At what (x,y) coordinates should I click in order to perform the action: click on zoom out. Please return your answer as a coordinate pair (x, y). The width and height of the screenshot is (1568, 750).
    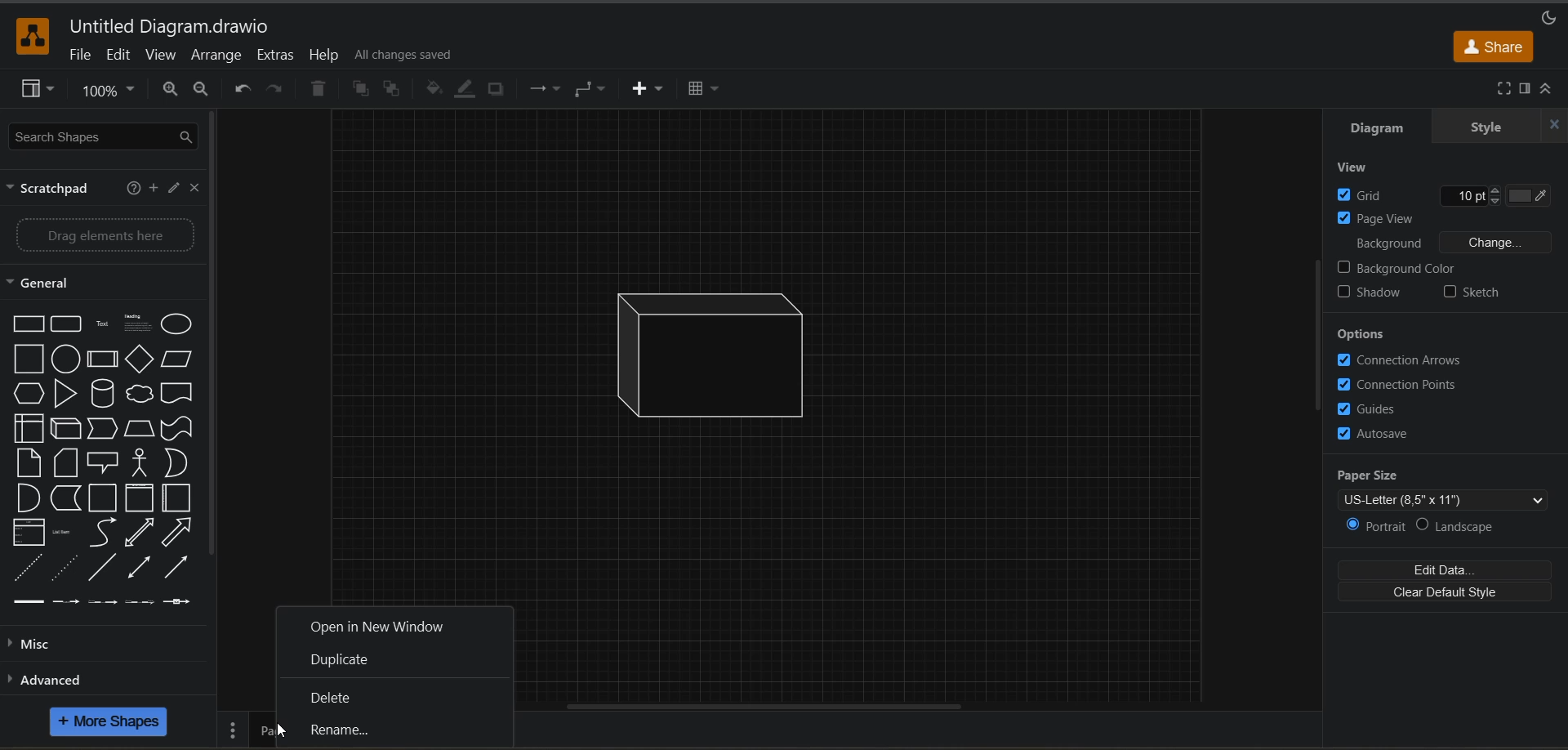
    Looking at the image, I should click on (203, 92).